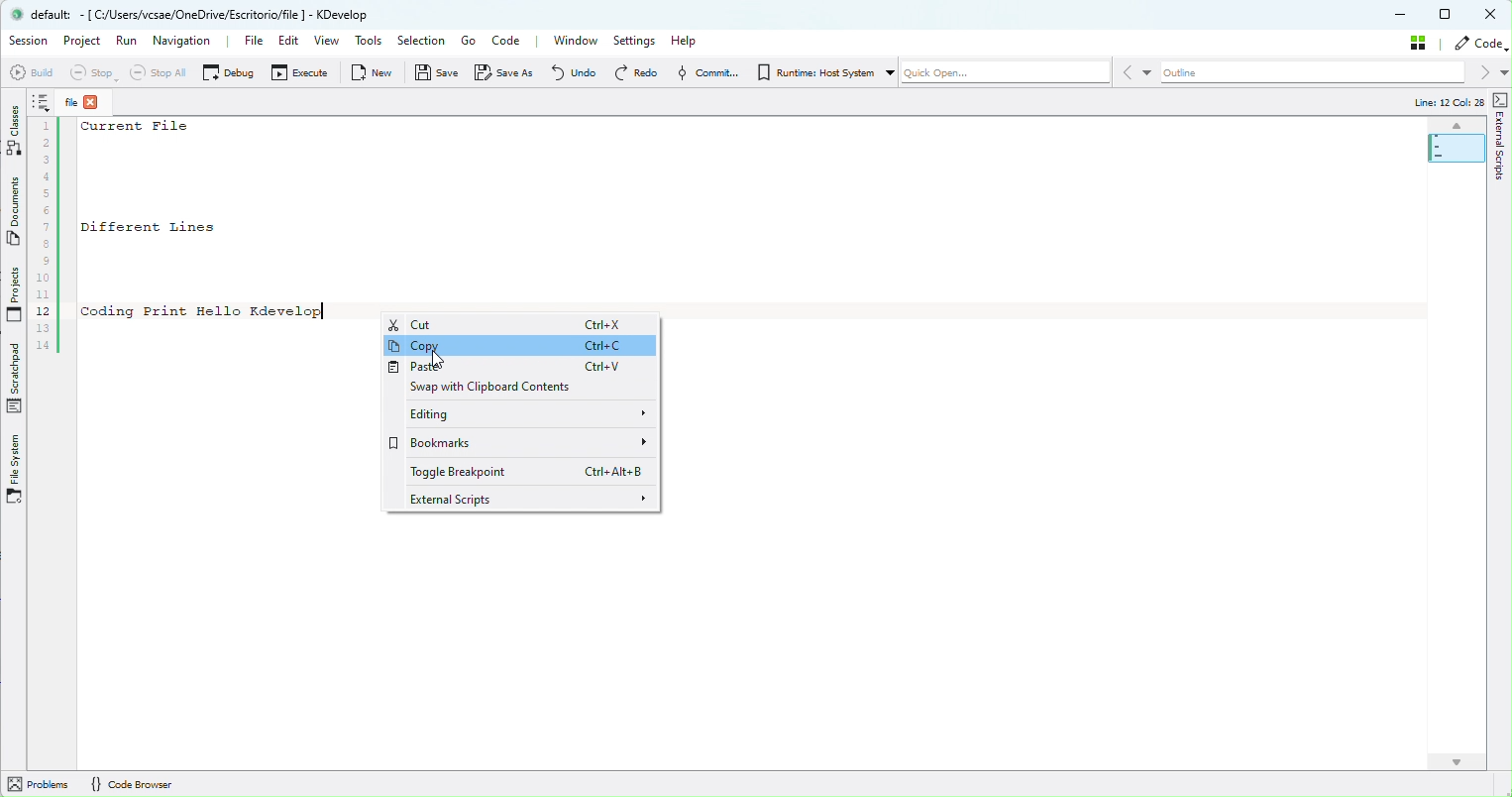 The image size is (1512, 797). What do you see at coordinates (517, 348) in the screenshot?
I see `Copy` at bounding box center [517, 348].